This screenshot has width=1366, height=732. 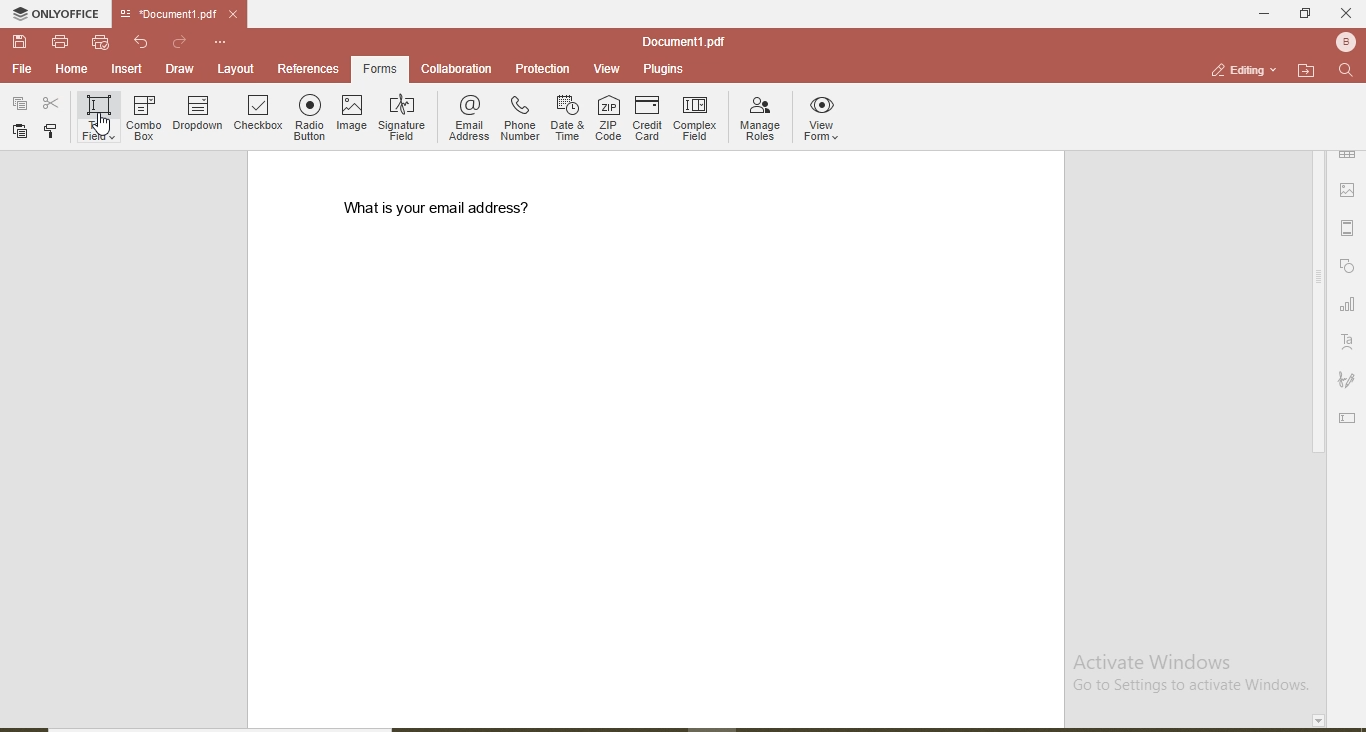 What do you see at coordinates (403, 118) in the screenshot?
I see `signature field` at bounding box center [403, 118].